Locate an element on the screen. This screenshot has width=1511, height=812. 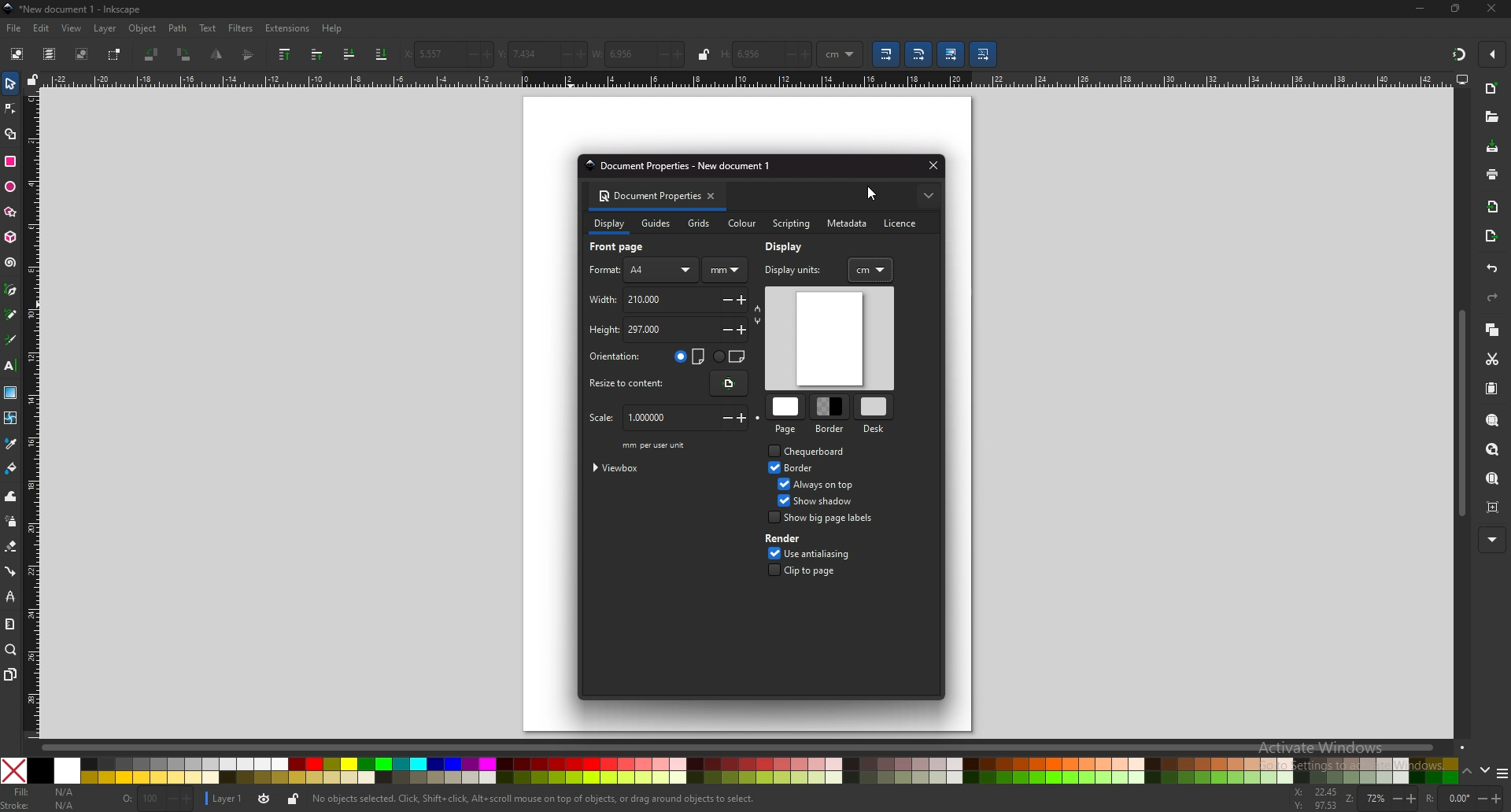
mesh is located at coordinates (11, 416).